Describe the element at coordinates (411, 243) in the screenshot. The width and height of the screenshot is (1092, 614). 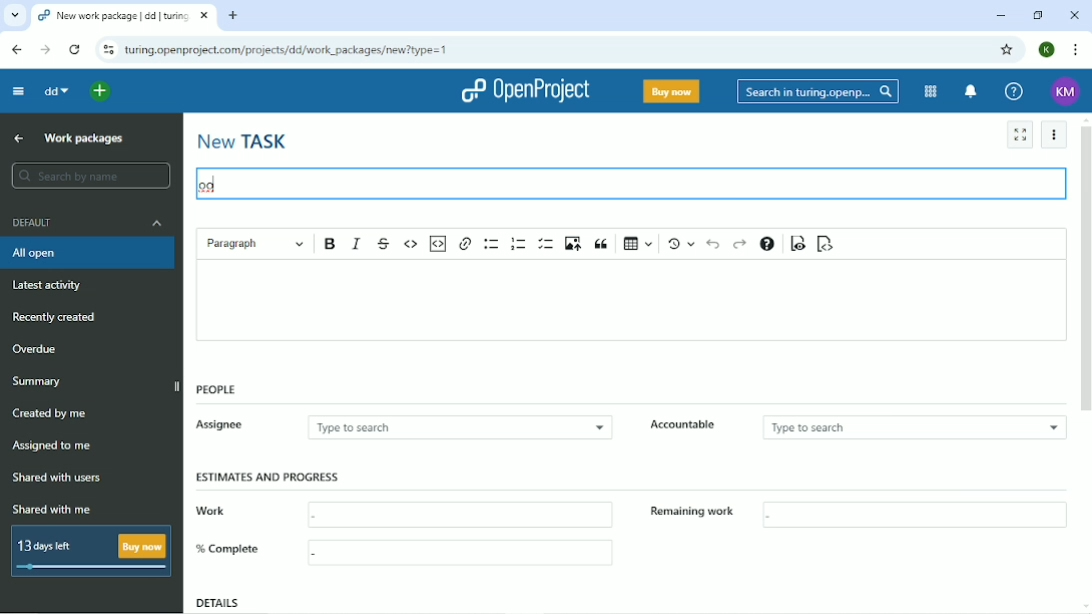
I see `Code` at that location.